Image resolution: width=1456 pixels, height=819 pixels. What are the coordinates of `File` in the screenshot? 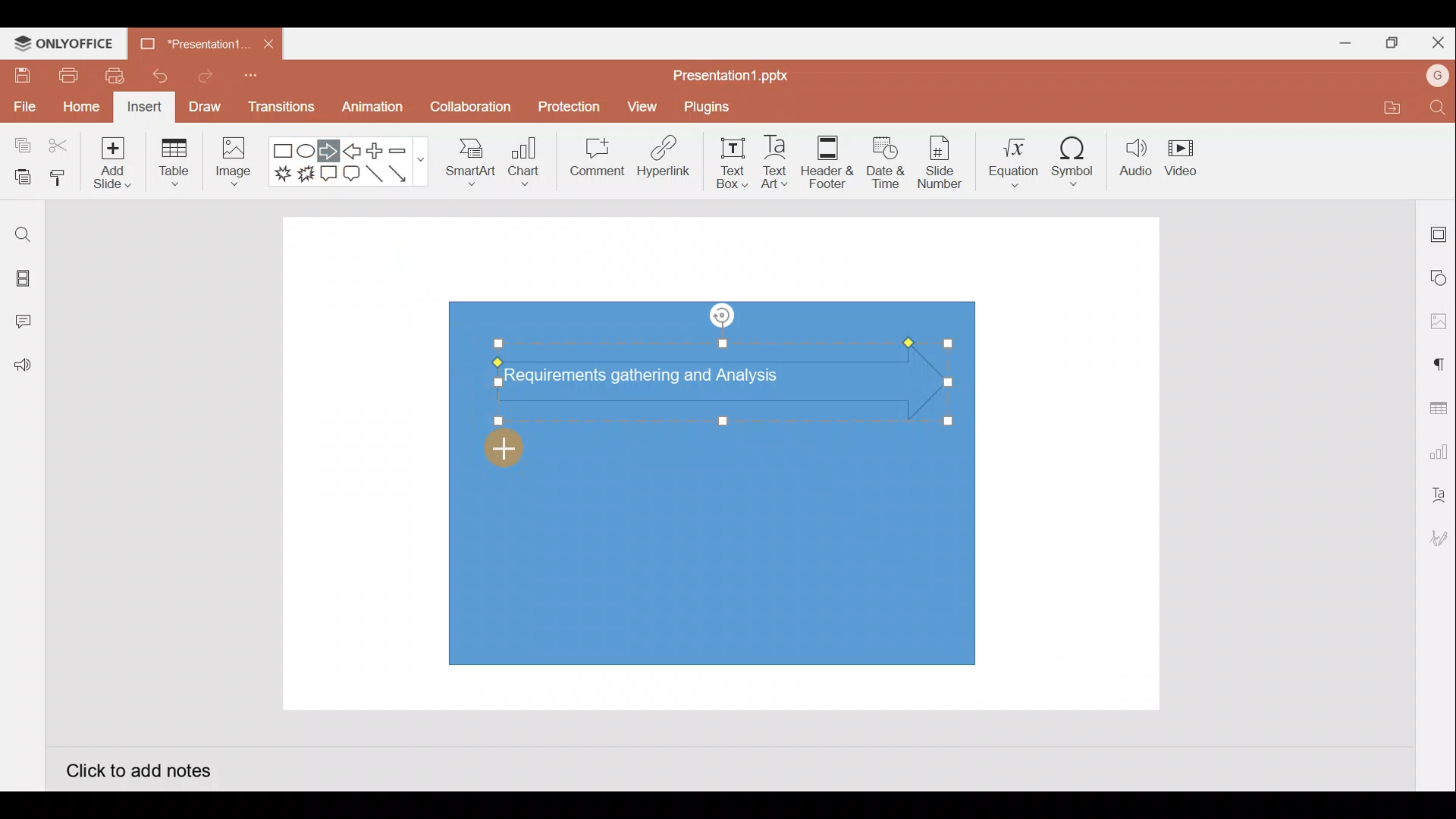 It's located at (23, 104).